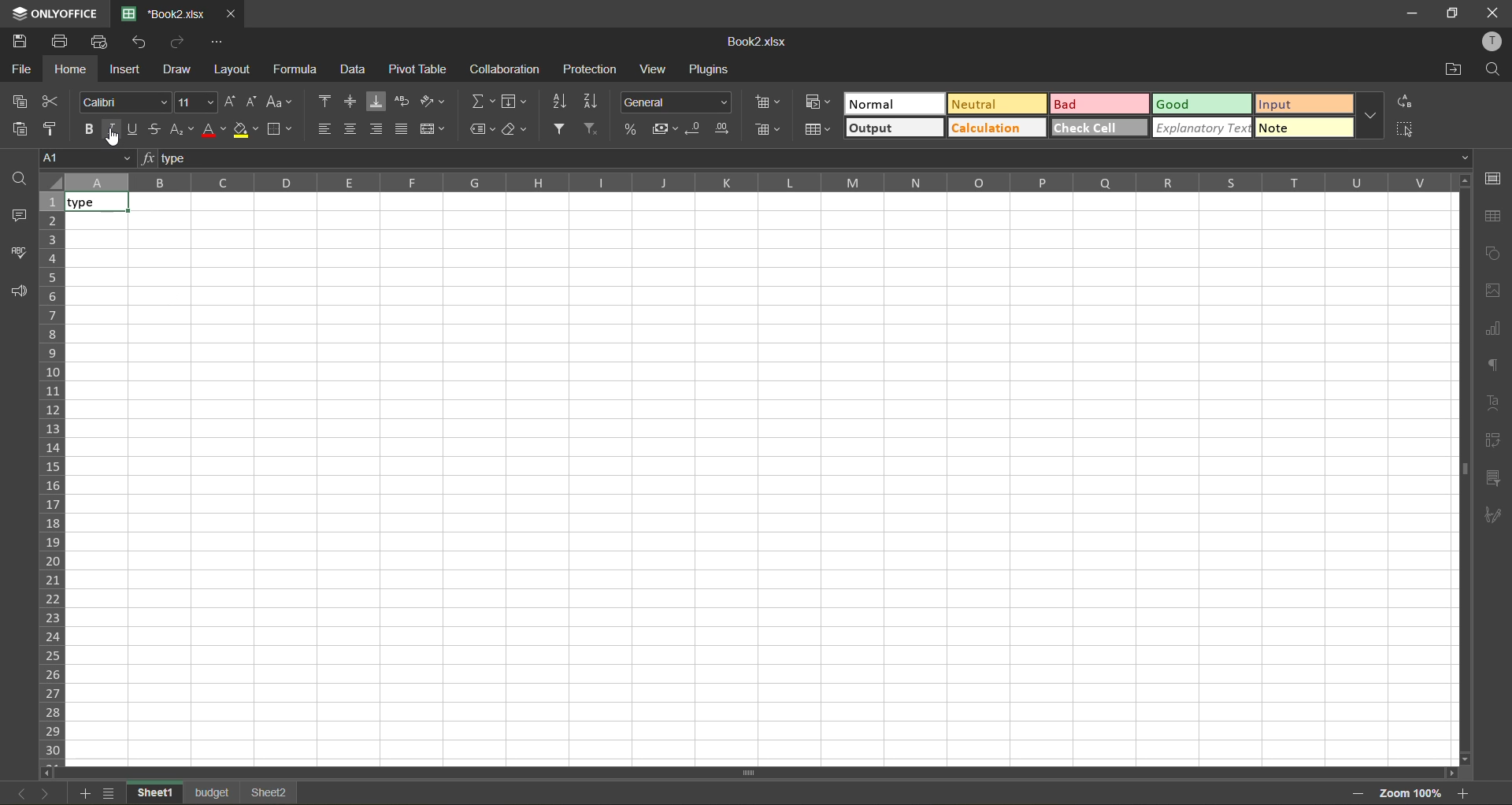 This screenshot has height=805, width=1512. Describe the element at coordinates (1494, 477) in the screenshot. I see `slicer` at that location.